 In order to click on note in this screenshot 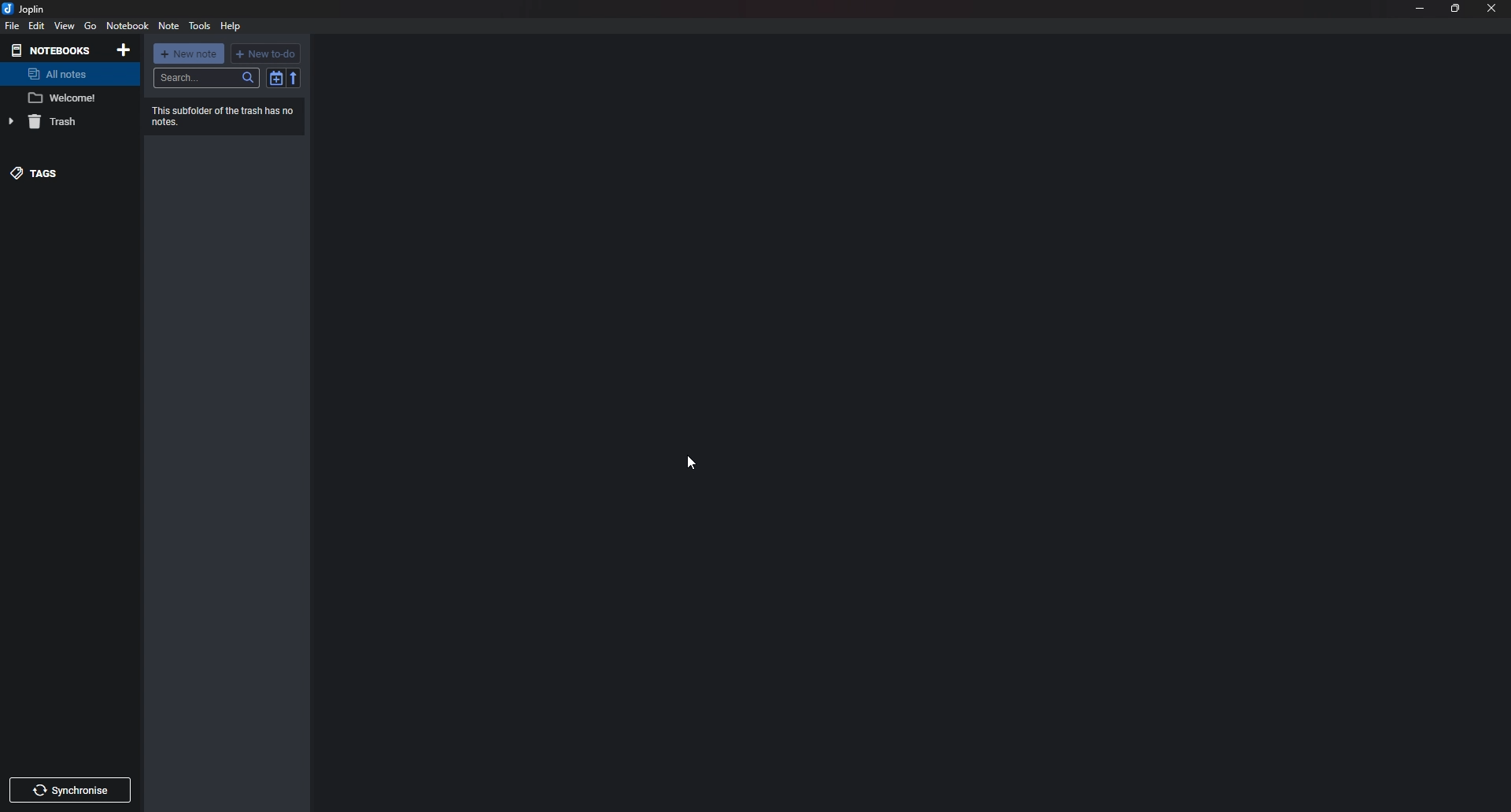, I will do `click(67, 98)`.